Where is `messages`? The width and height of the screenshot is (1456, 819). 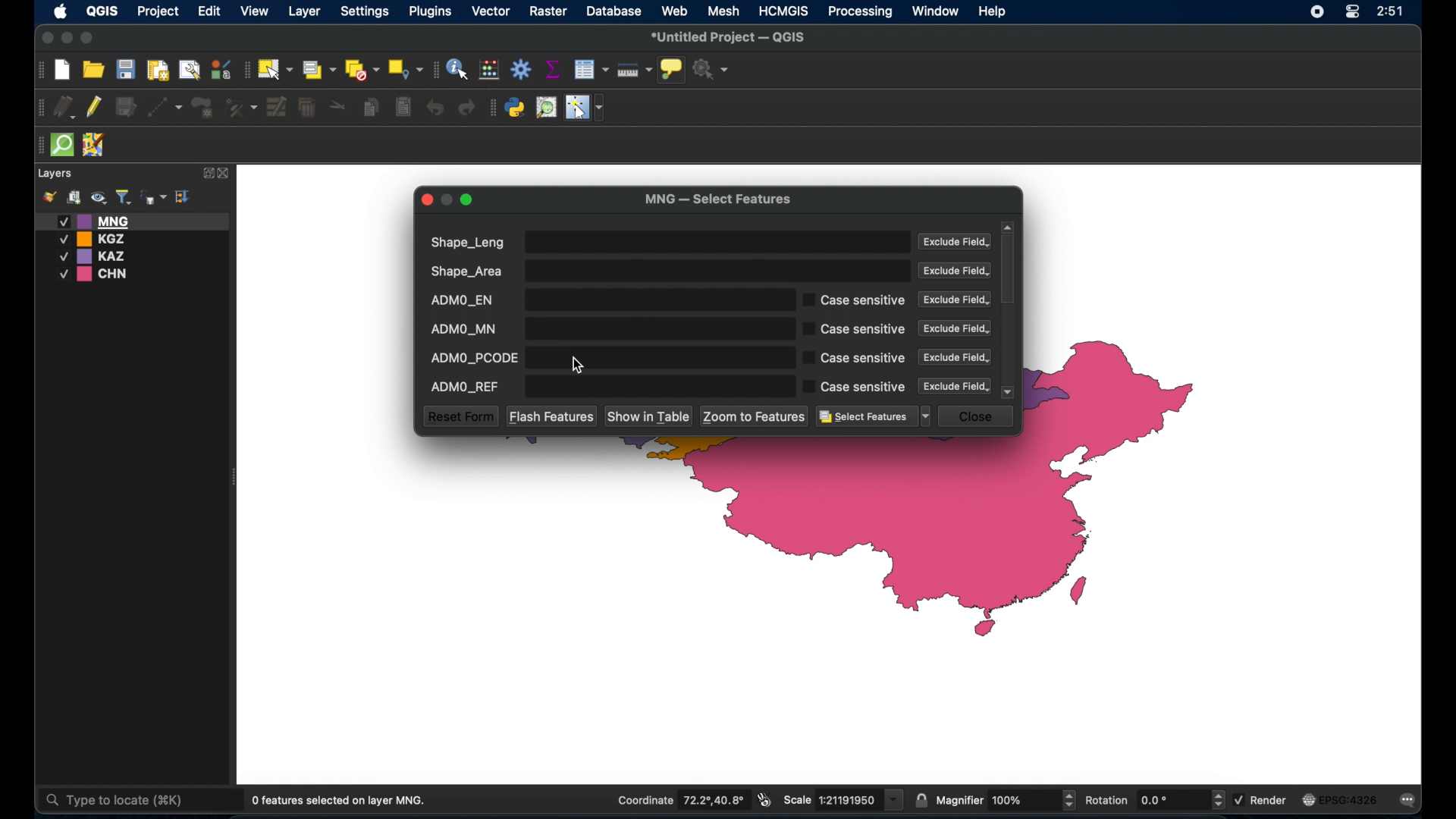 messages is located at coordinates (1410, 801).